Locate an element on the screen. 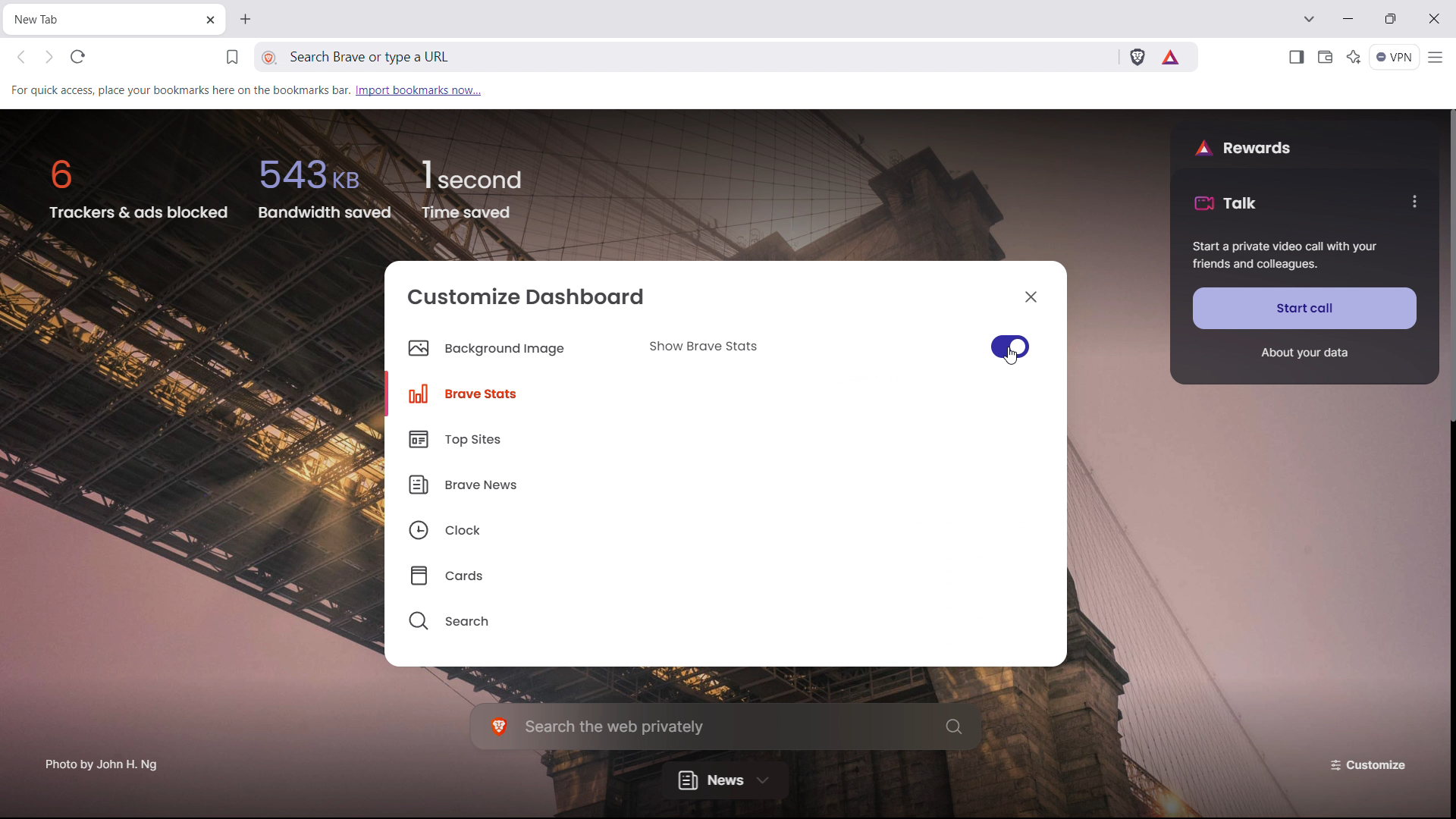 The width and height of the screenshot is (1456, 819). open new tab is located at coordinates (243, 19).